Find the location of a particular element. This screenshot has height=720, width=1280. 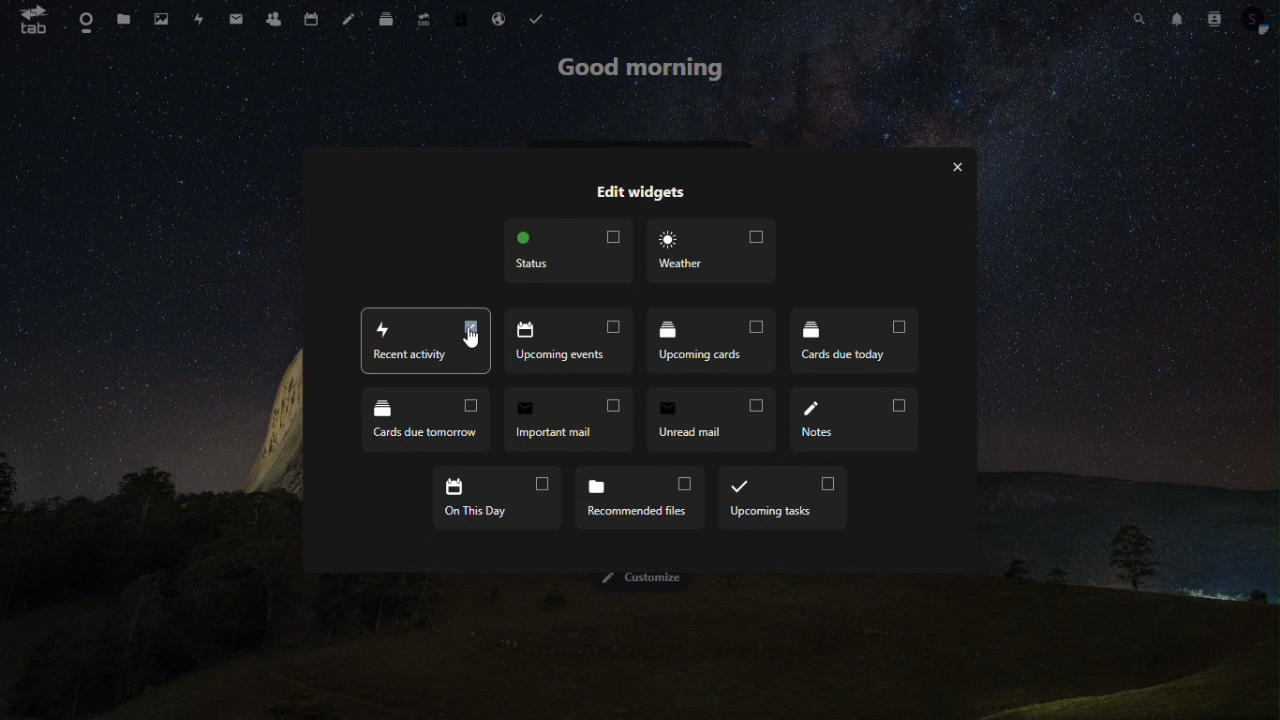

upcoming events is located at coordinates (572, 342).